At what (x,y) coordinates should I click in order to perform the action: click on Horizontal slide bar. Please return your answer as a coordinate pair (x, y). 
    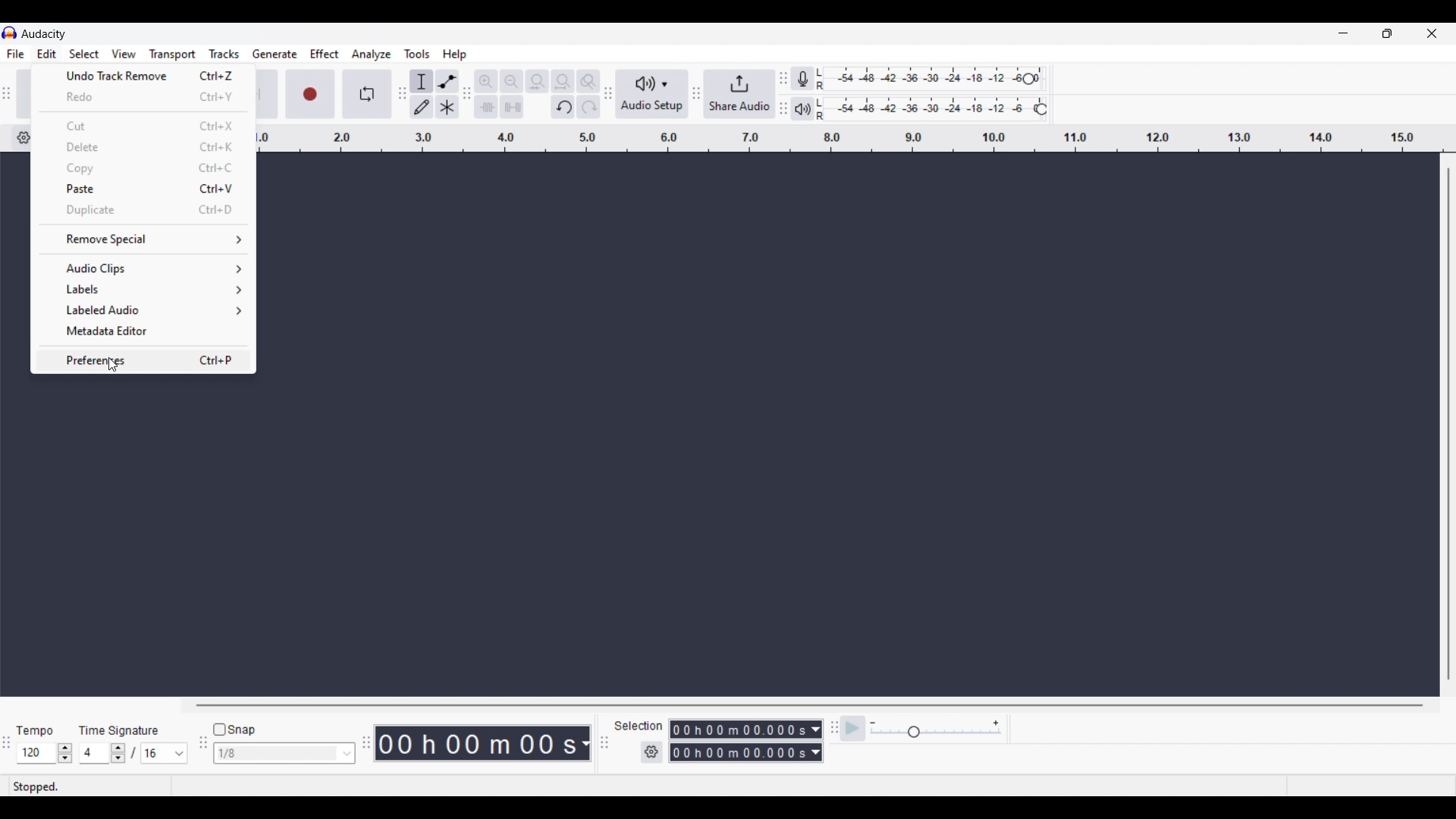
    Looking at the image, I should click on (810, 705).